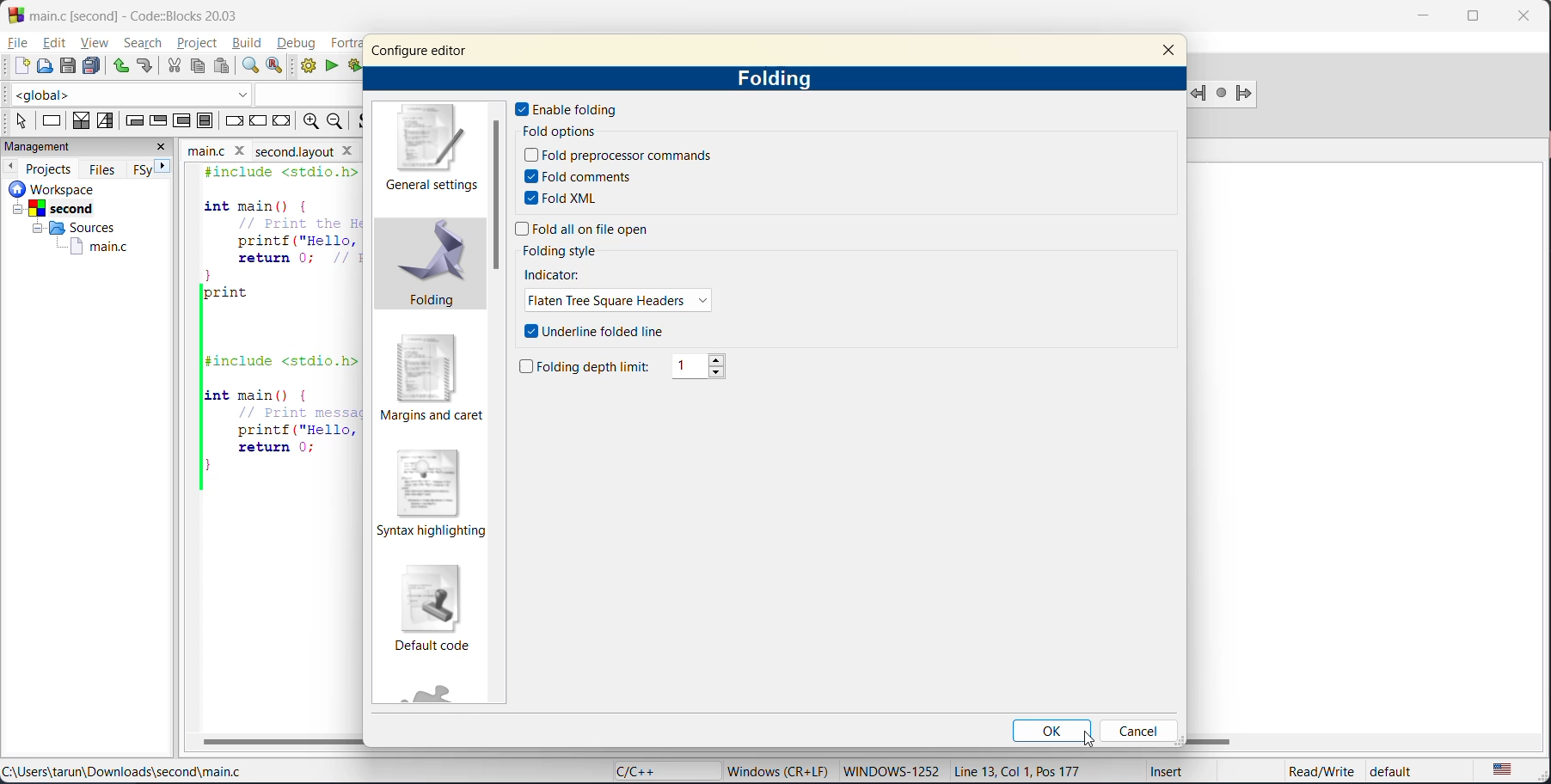  Describe the element at coordinates (658, 772) in the screenshot. I see `language` at that location.